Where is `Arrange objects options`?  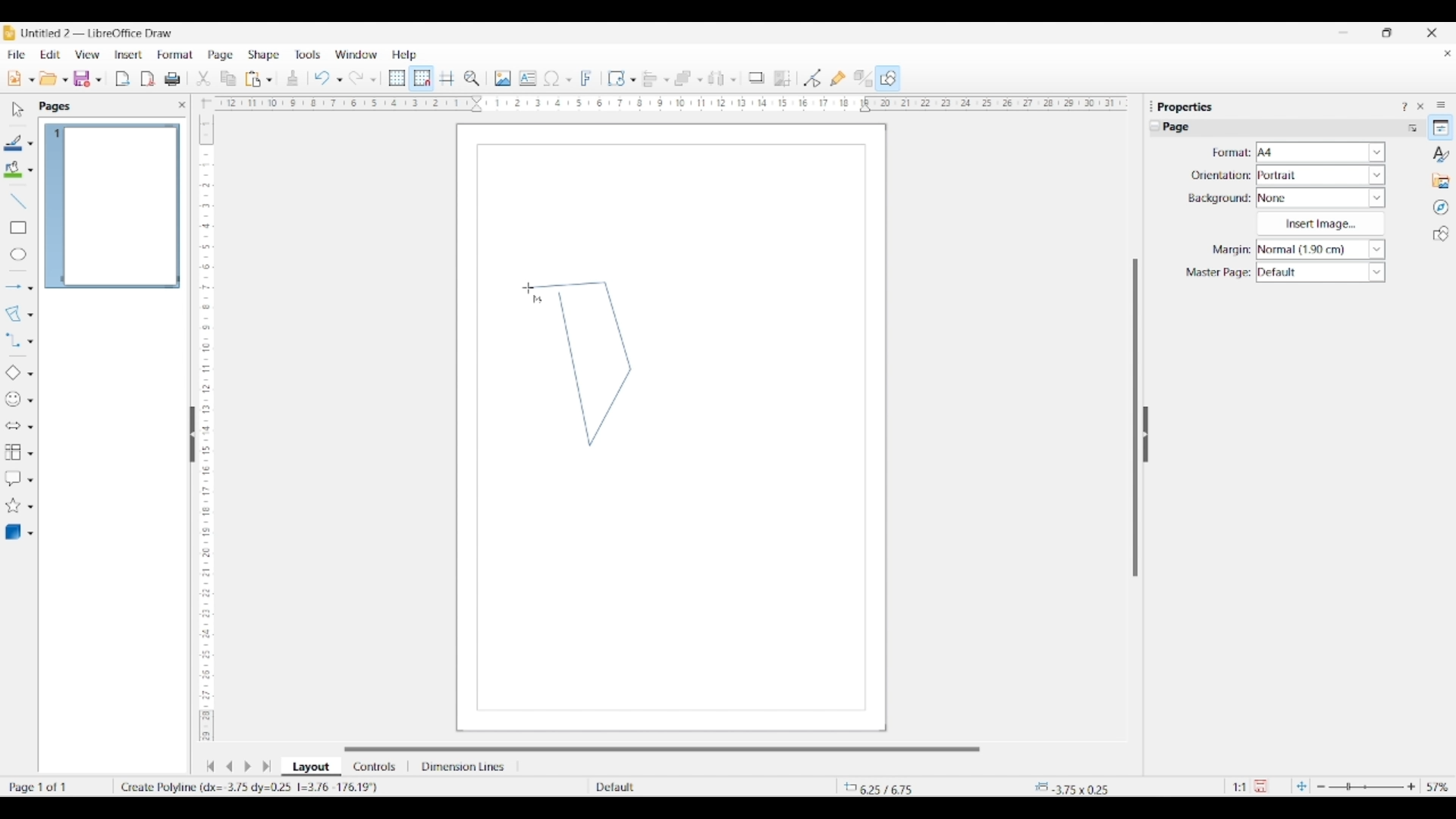
Arrange objects options is located at coordinates (700, 80).